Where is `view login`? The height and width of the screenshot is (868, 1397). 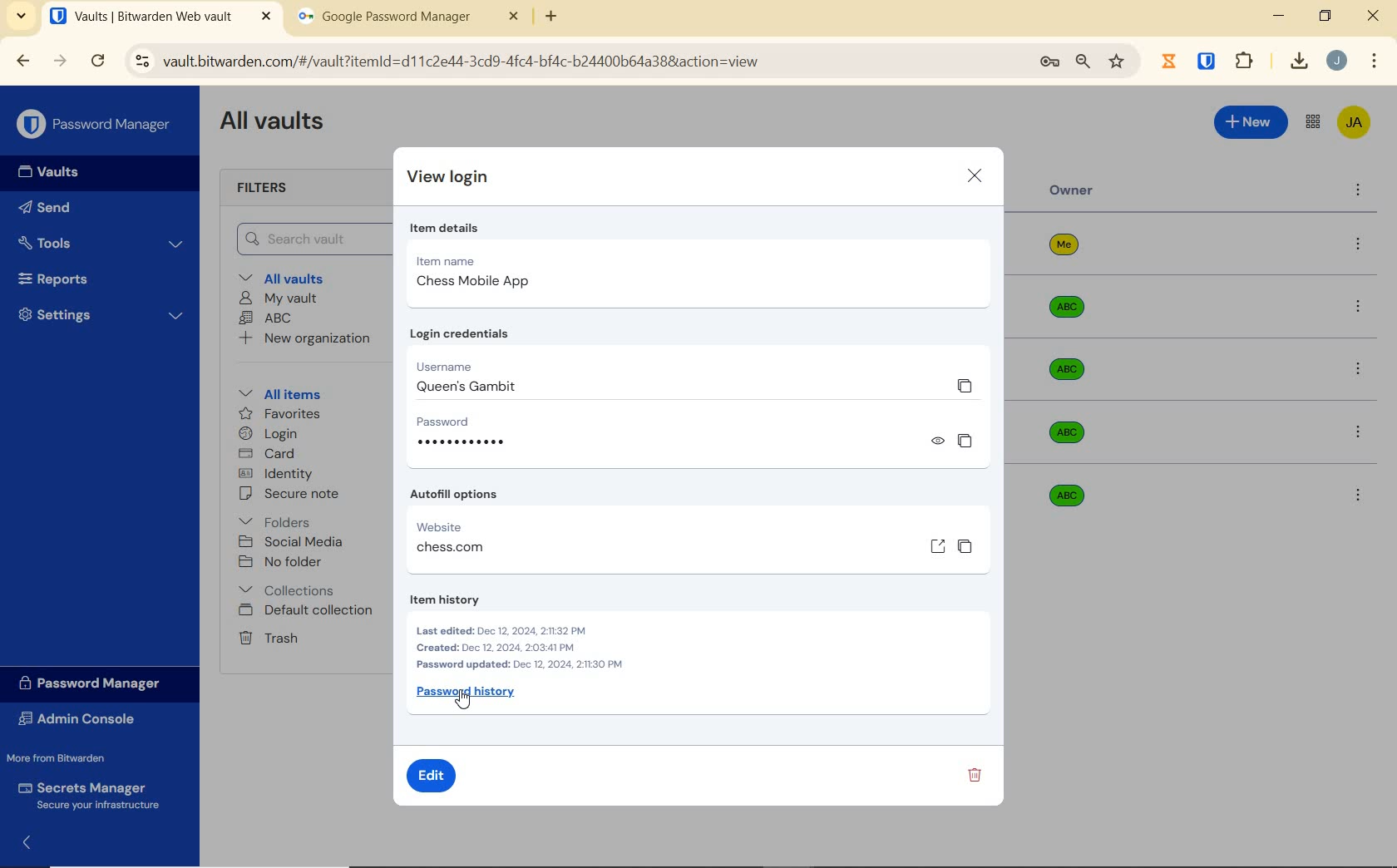 view login is located at coordinates (447, 177).